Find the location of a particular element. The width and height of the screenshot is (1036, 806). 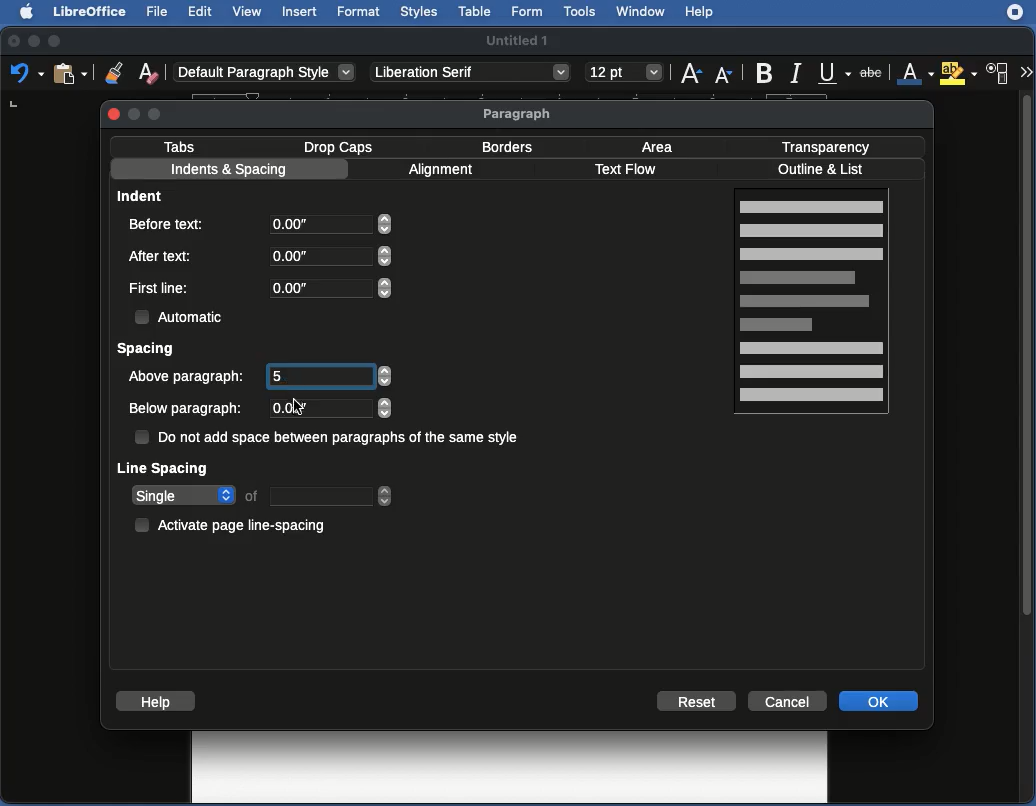

Single is located at coordinates (262, 496).